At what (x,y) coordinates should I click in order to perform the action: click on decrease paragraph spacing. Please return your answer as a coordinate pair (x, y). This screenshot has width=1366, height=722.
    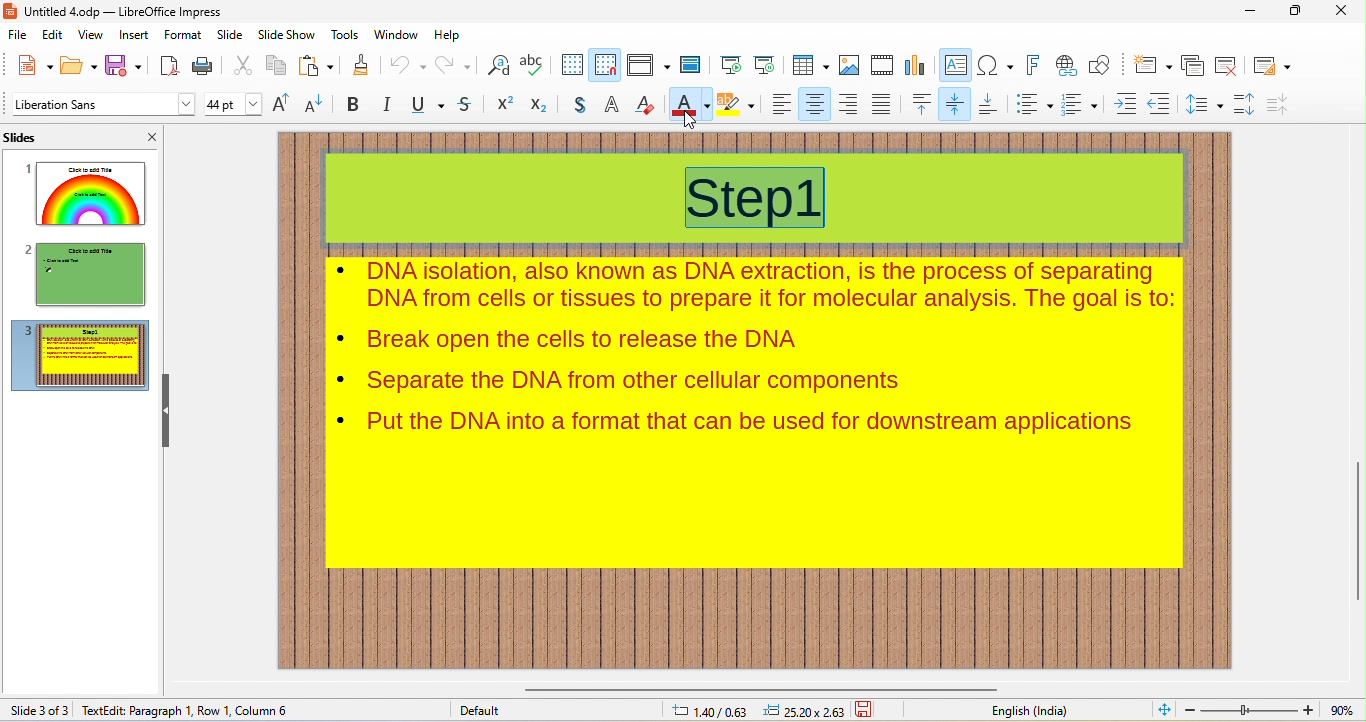
    Looking at the image, I should click on (1283, 103).